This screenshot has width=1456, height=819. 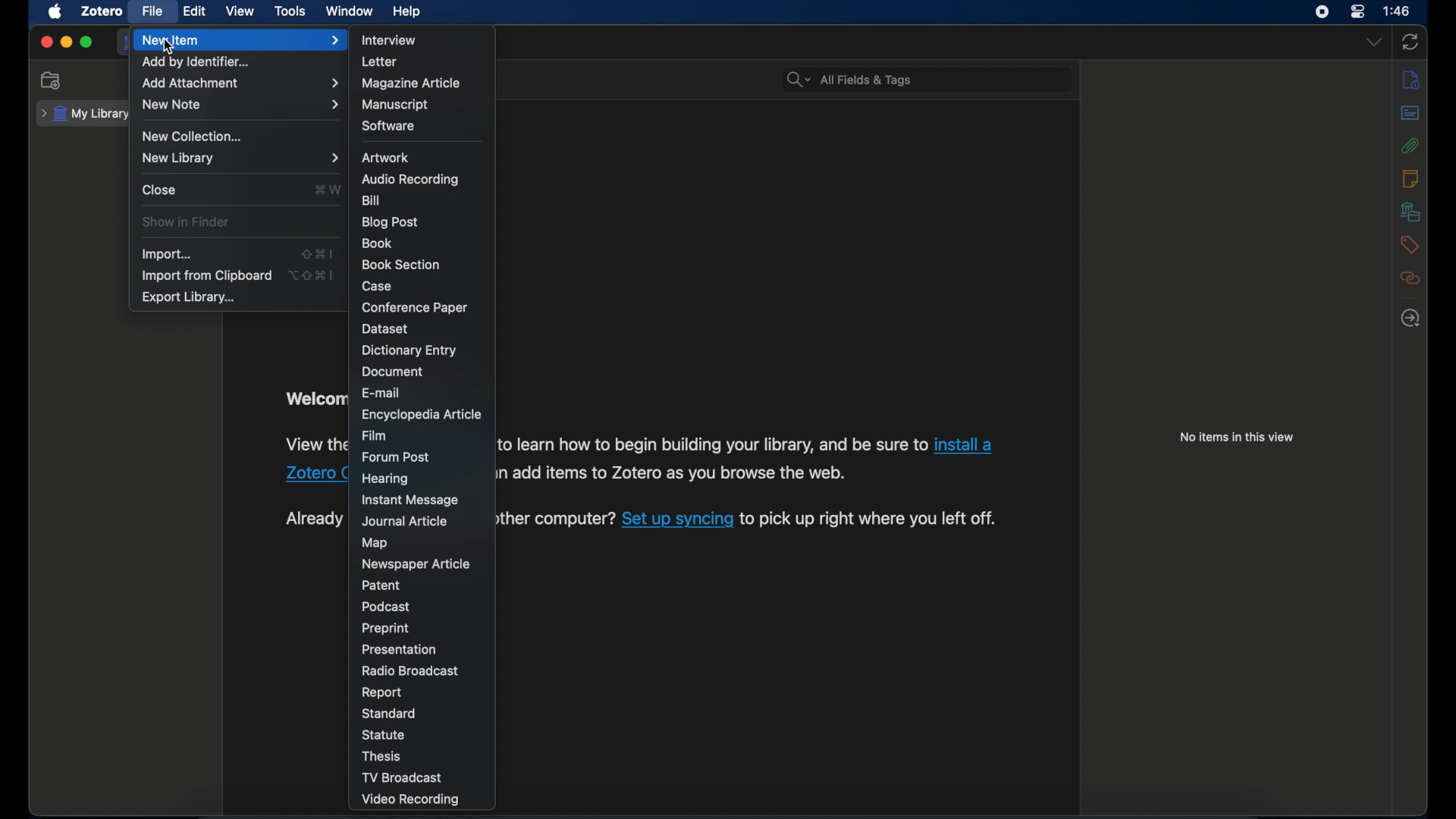 What do you see at coordinates (400, 265) in the screenshot?
I see `book section` at bounding box center [400, 265].